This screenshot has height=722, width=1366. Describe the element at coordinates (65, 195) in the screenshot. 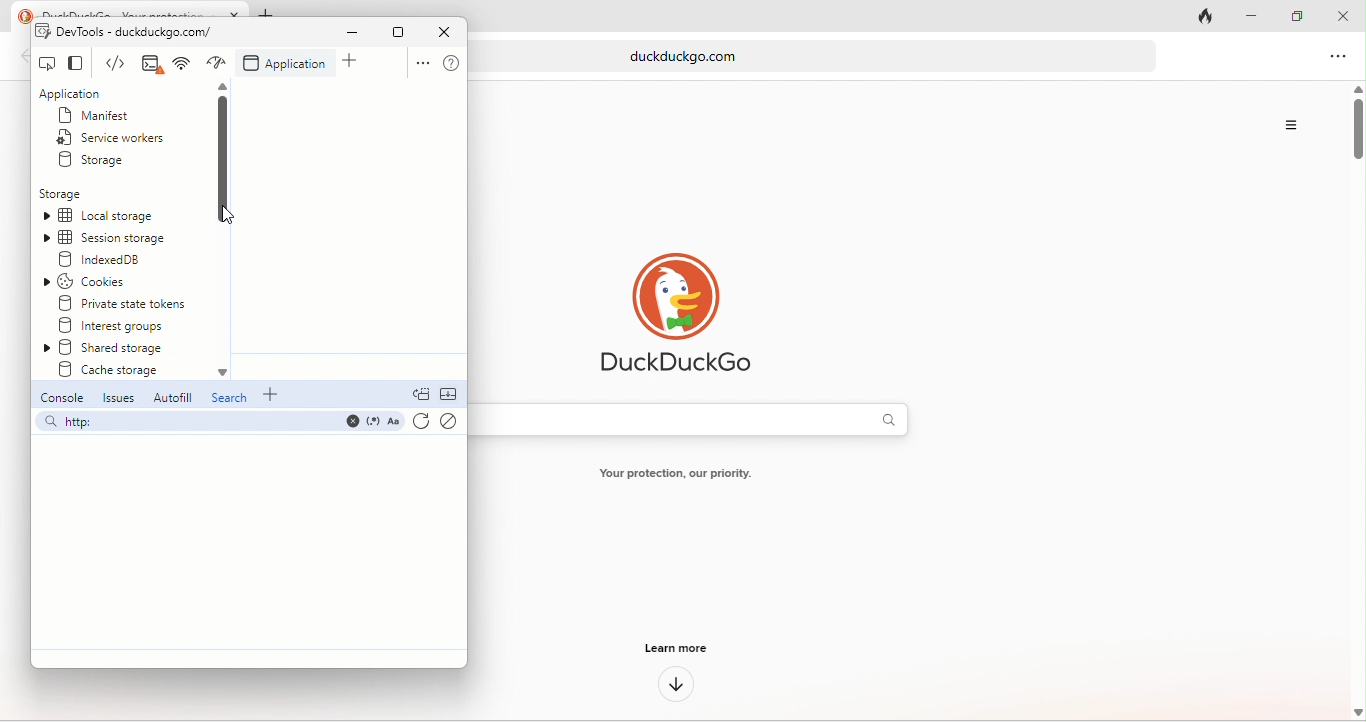

I see `storage` at that location.